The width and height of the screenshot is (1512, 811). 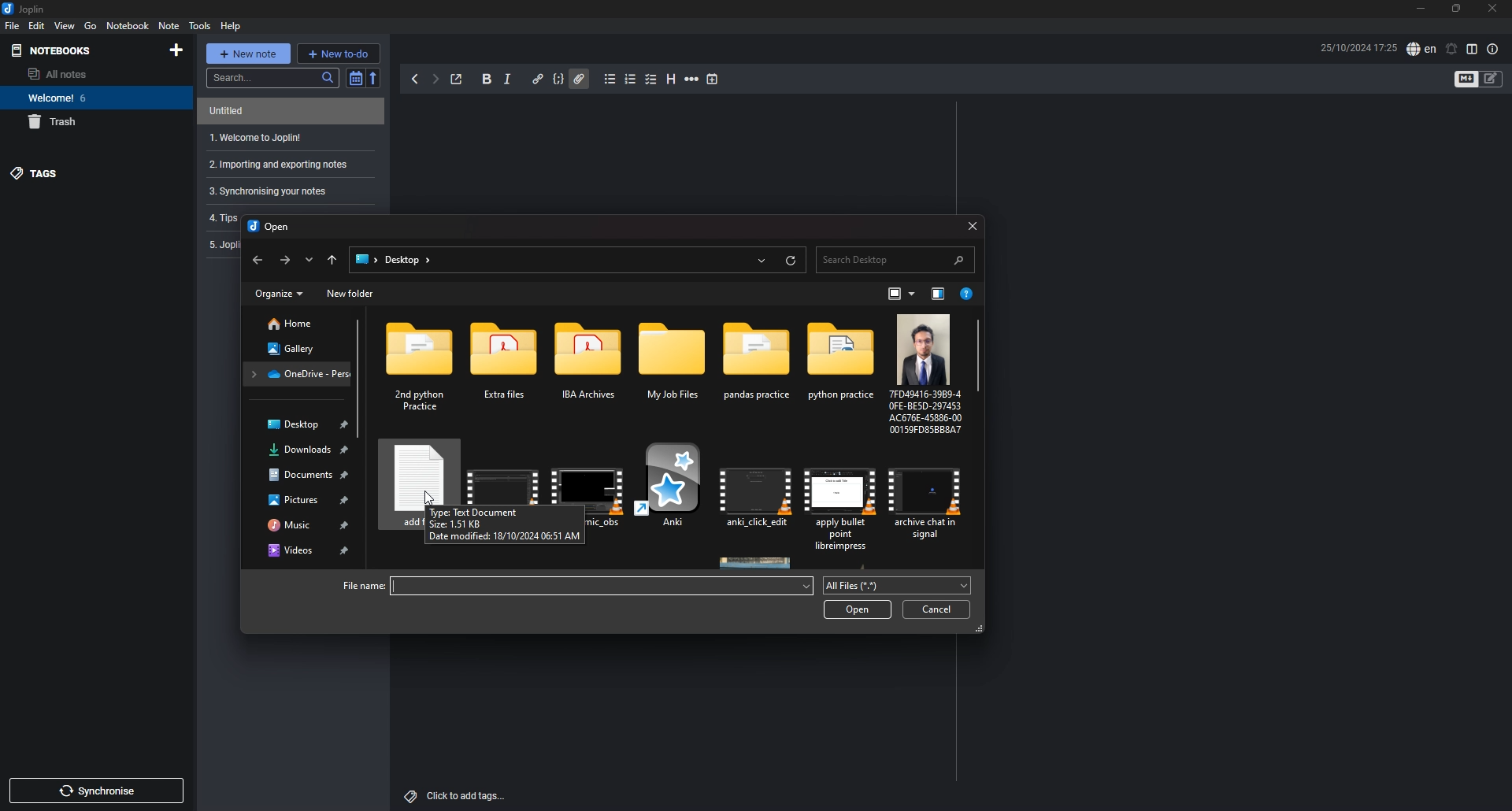 I want to click on documents, so click(x=301, y=476).